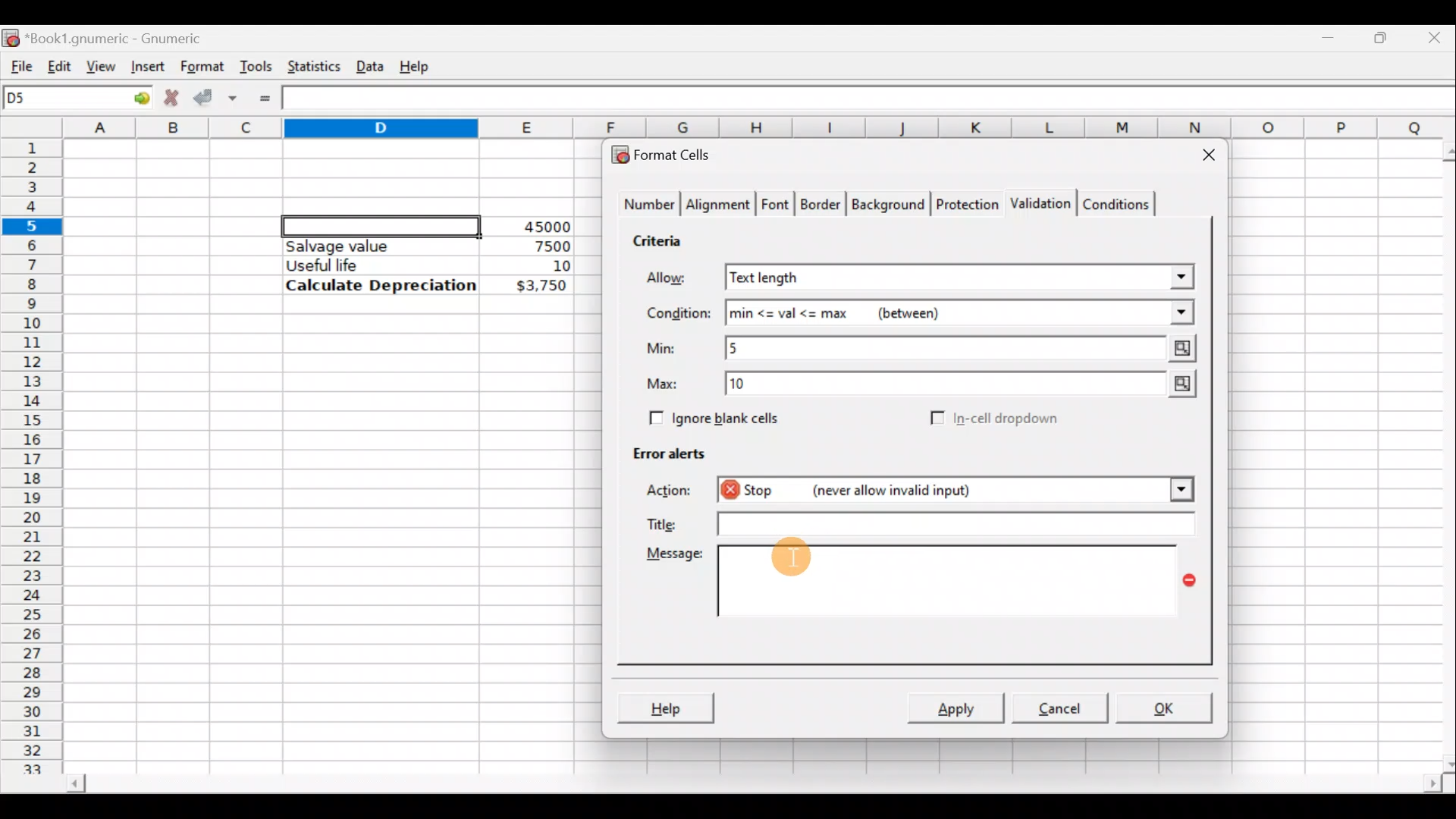 Image resolution: width=1456 pixels, height=819 pixels. I want to click on Scroll bar, so click(752, 786).